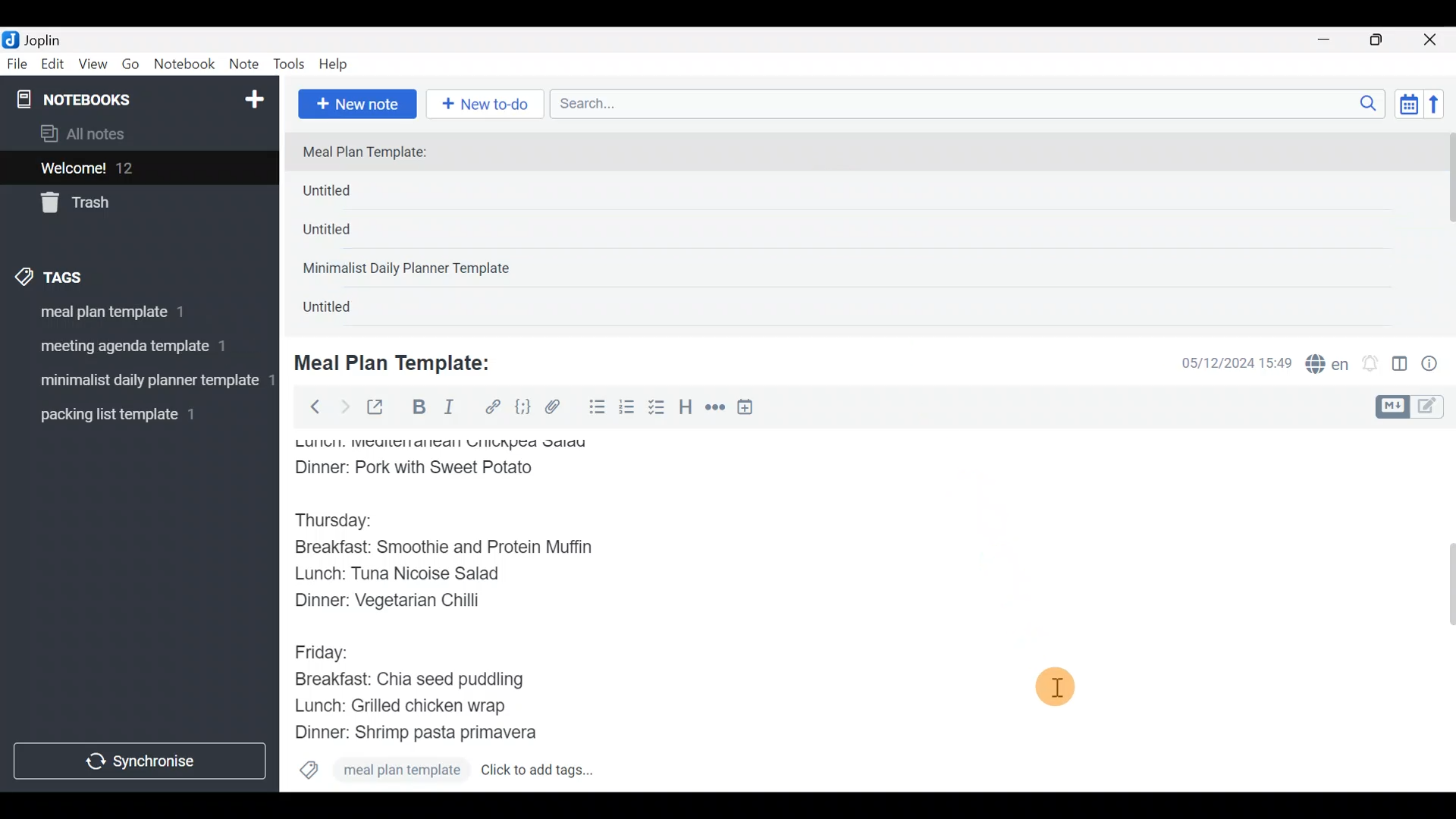 The height and width of the screenshot is (819, 1456). What do you see at coordinates (344, 521) in the screenshot?
I see `Thursday:` at bounding box center [344, 521].